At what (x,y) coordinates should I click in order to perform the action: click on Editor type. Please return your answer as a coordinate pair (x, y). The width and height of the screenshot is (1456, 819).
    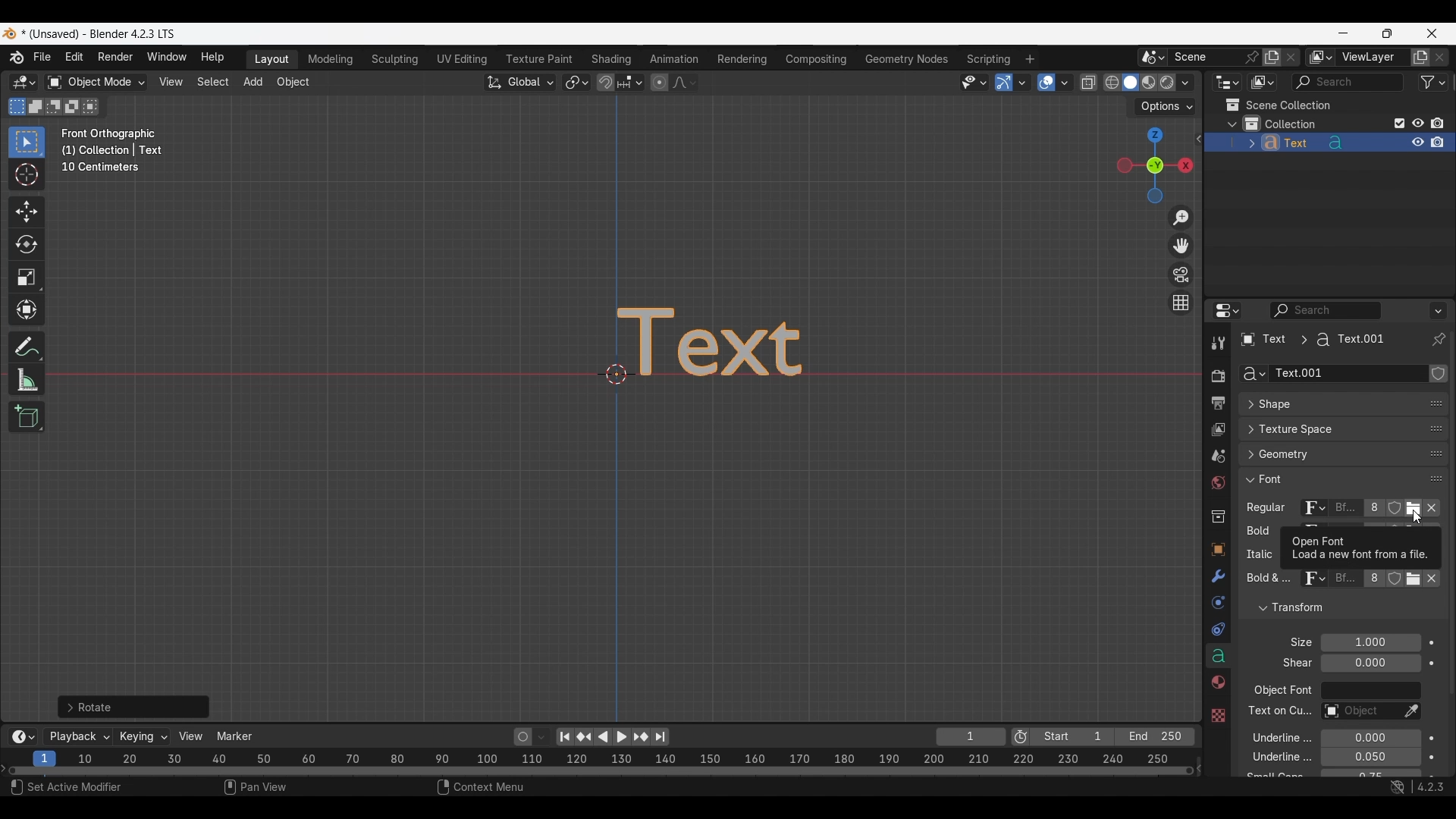
    Looking at the image, I should click on (1227, 82).